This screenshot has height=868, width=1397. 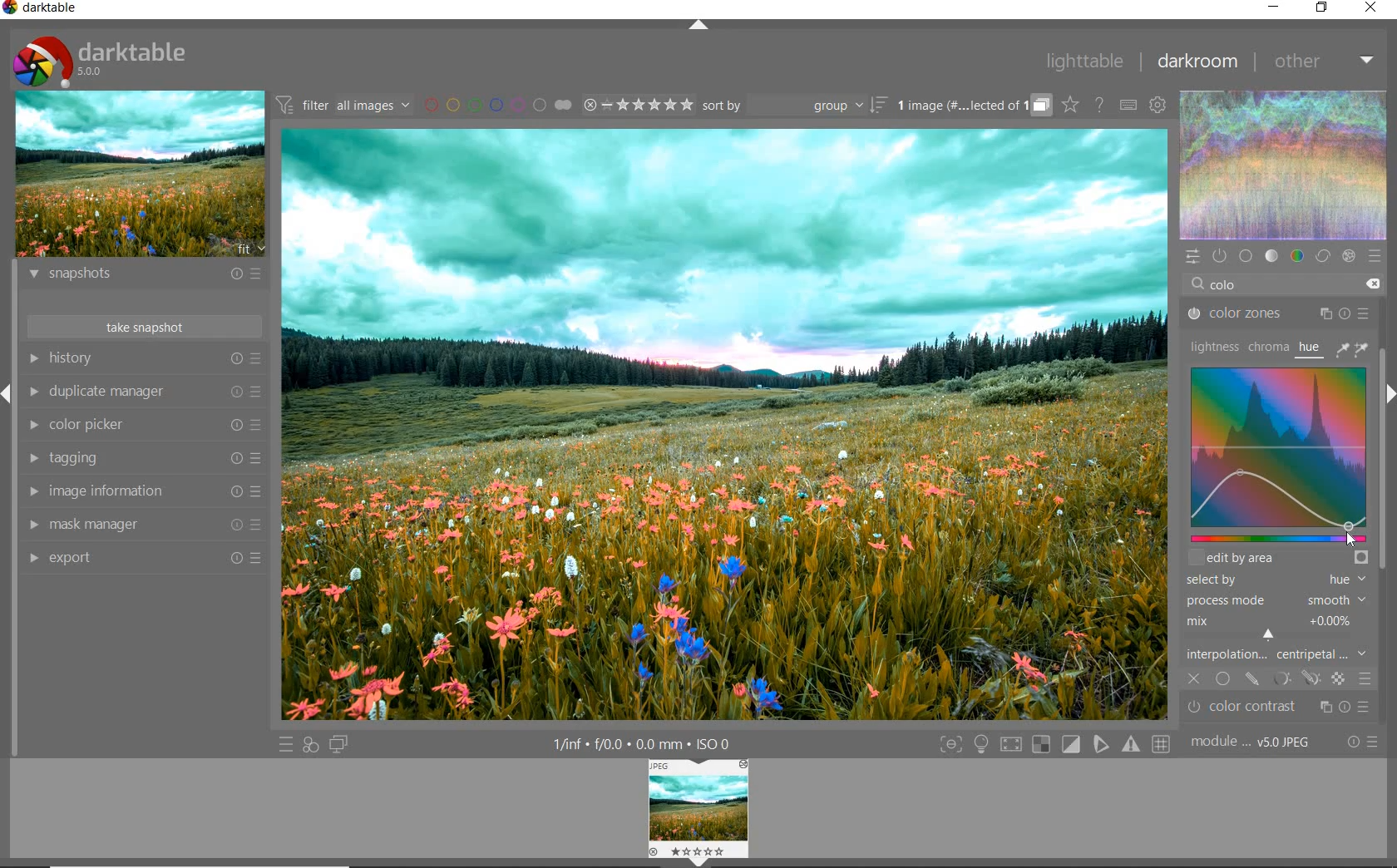 What do you see at coordinates (141, 277) in the screenshot?
I see `snapshots` at bounding box center [141, 277].